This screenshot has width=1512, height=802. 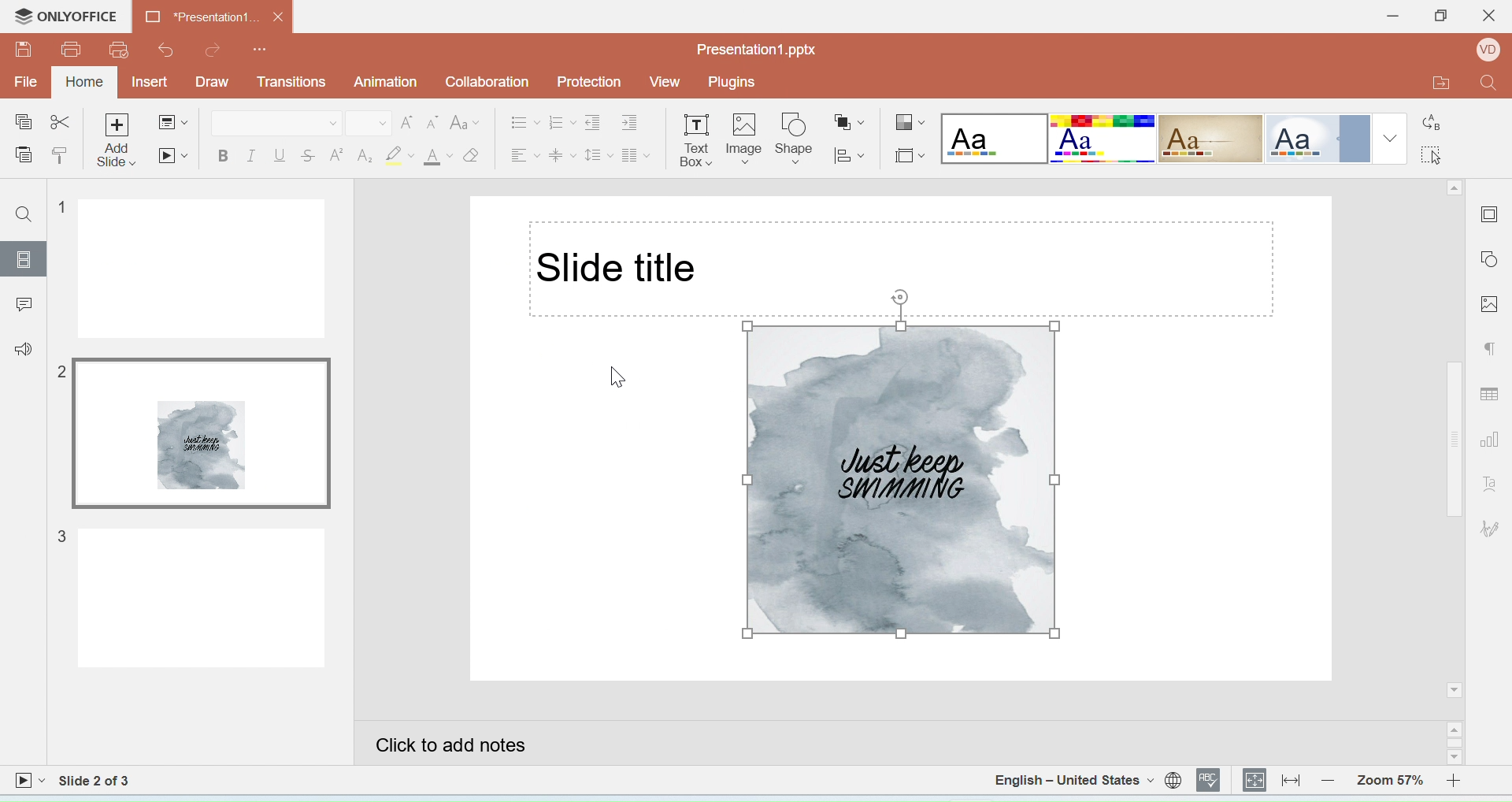 What do you see at coordinates (402, 156) in the screenshot?
I see `Highlight color` at bounding box center [402, 156].